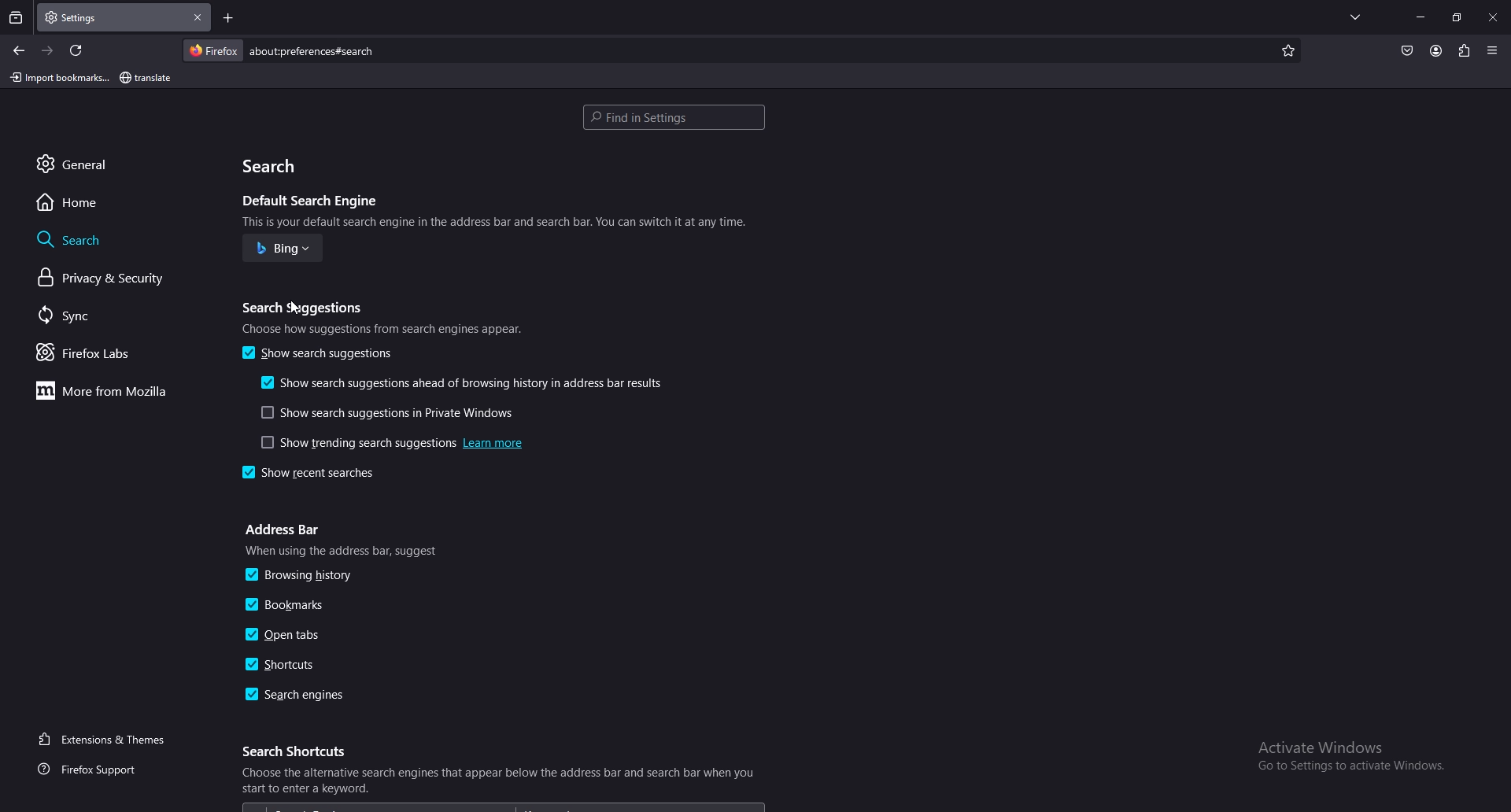  What do you see at coordinates (276, 166) in the screenshot?
I see `search` at bounding box center [276, 166].